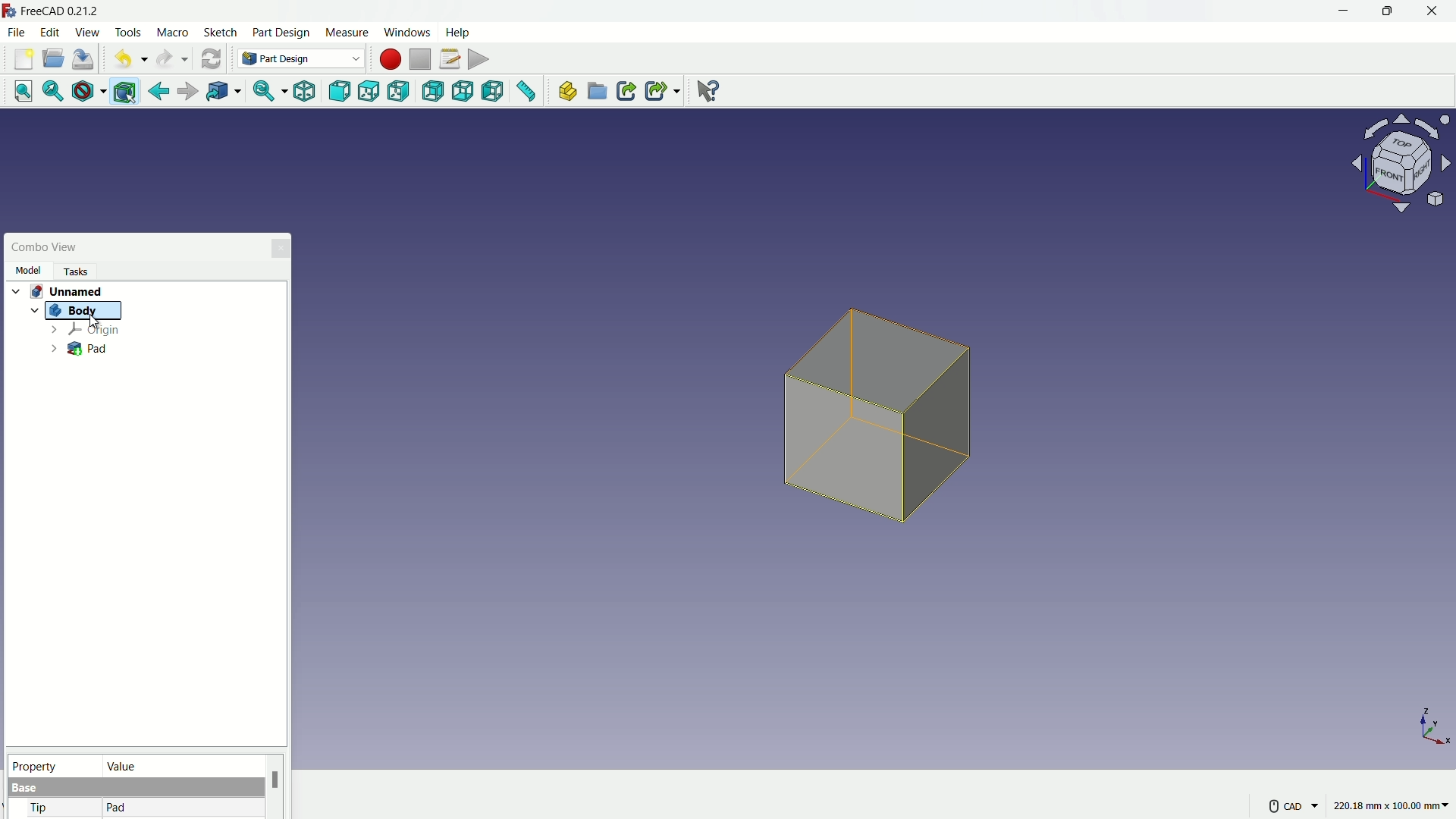 This screenshot has width=1456, height=819. I want to click on Unnamed, so click(72, 290).